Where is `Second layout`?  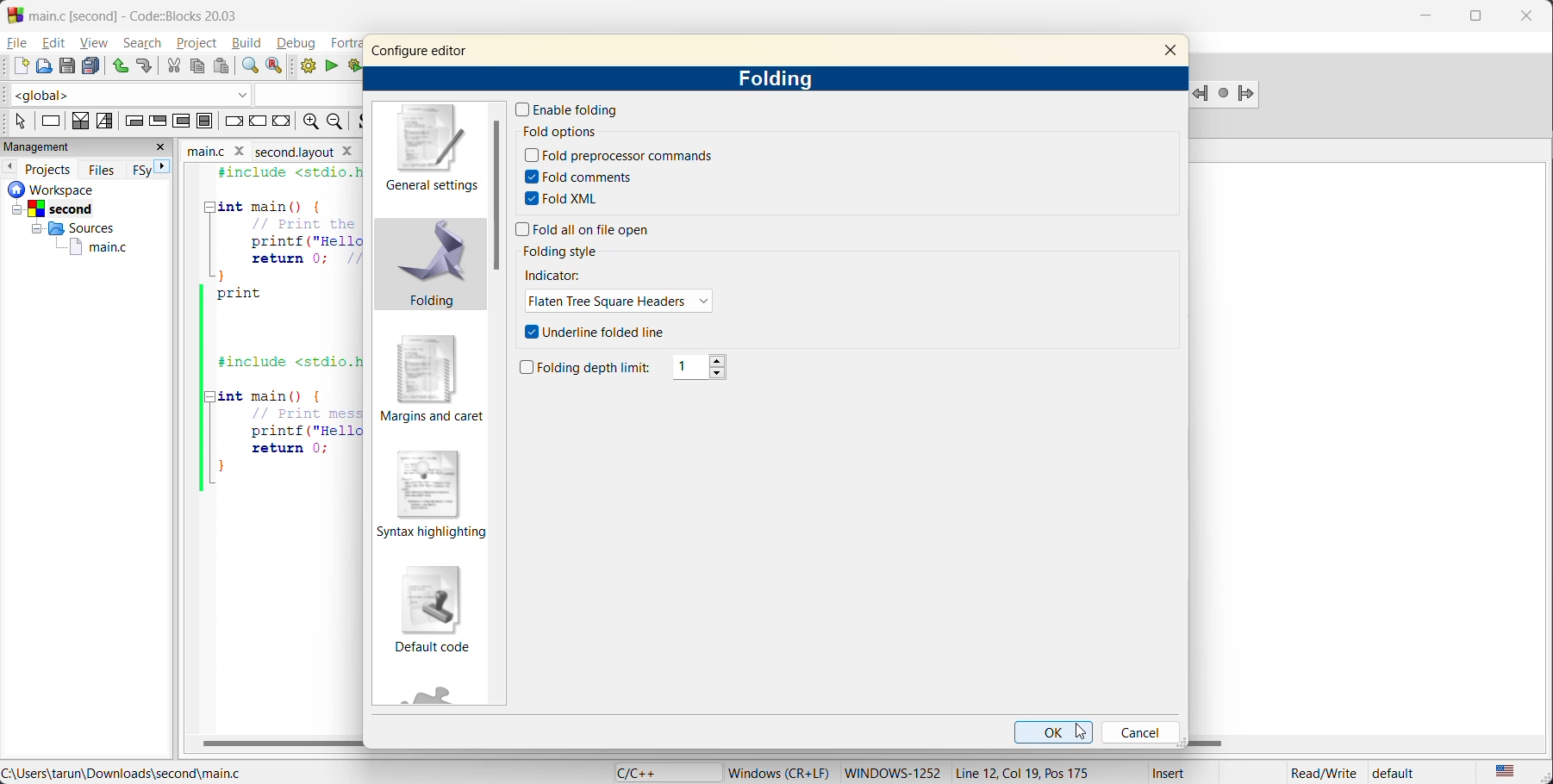
Second layout is located at coordinates (305, 150).